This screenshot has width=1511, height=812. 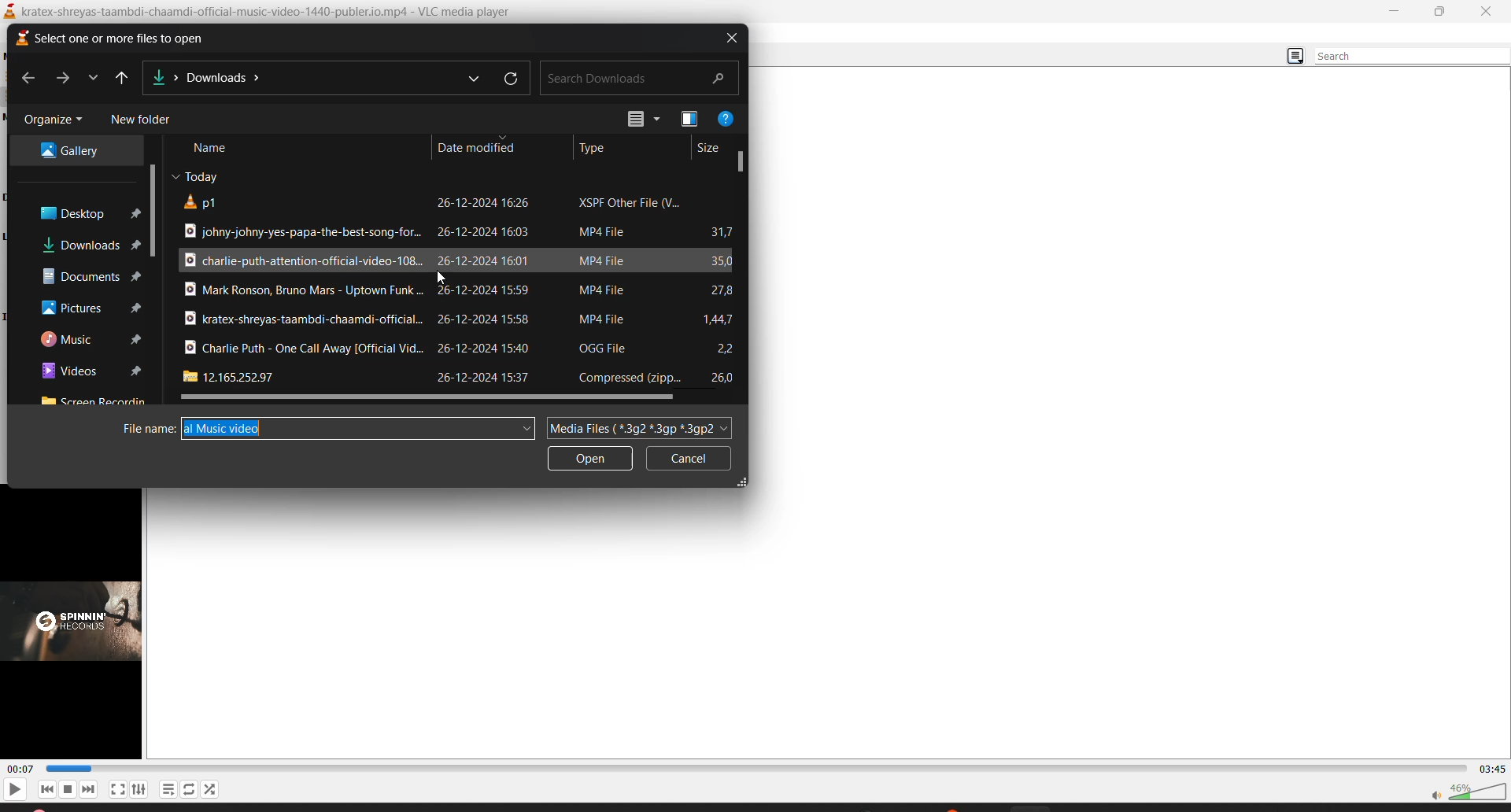 I want to click on file size, so click(x=717, y=286).